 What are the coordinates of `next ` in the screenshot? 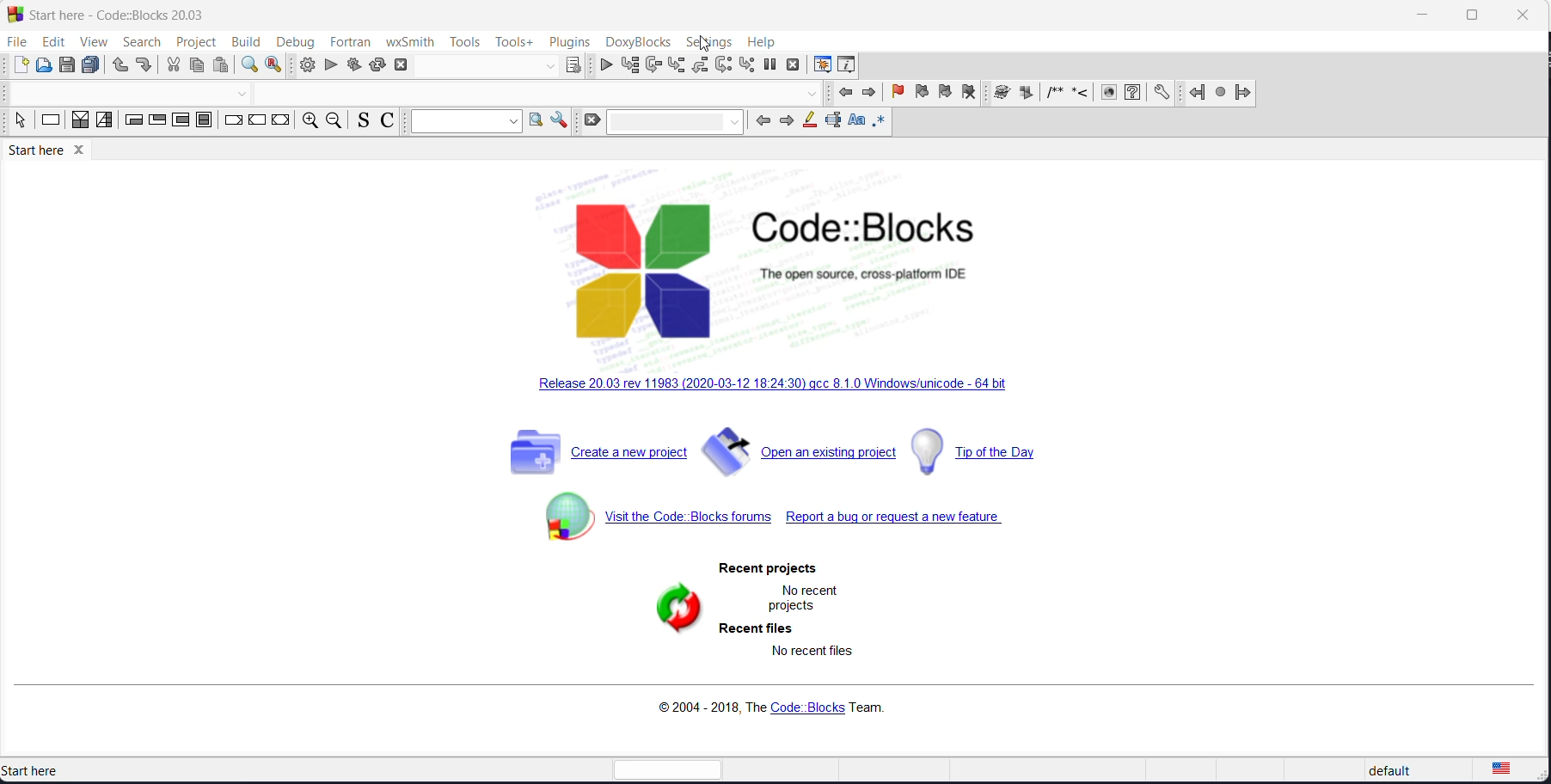 It's located at (785, 123).